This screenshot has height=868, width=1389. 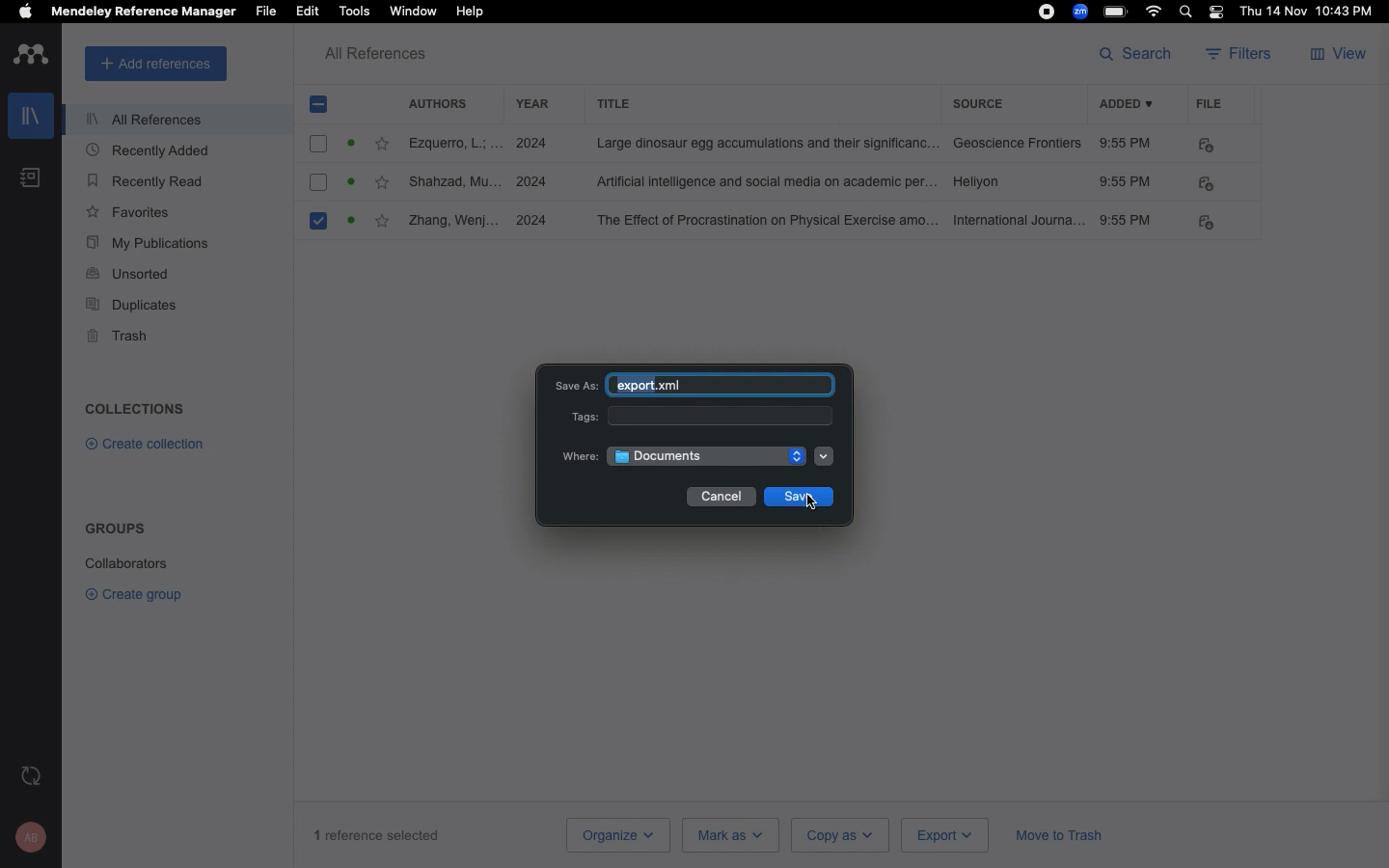 I want to click on Documents, so click(x=708, y=455).